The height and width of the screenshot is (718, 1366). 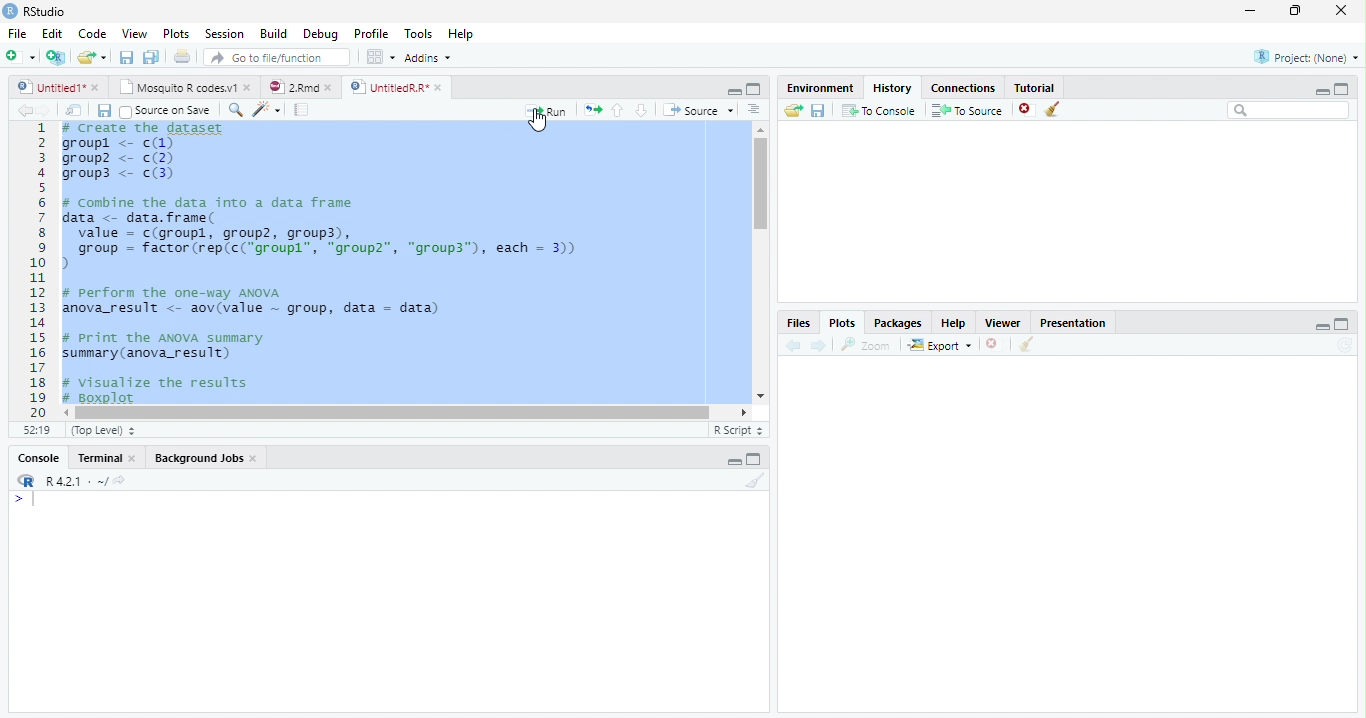 What do you see at coordinates (26, 111) in the screenshot?
I see `Back ` at bounding box center [26, 111].